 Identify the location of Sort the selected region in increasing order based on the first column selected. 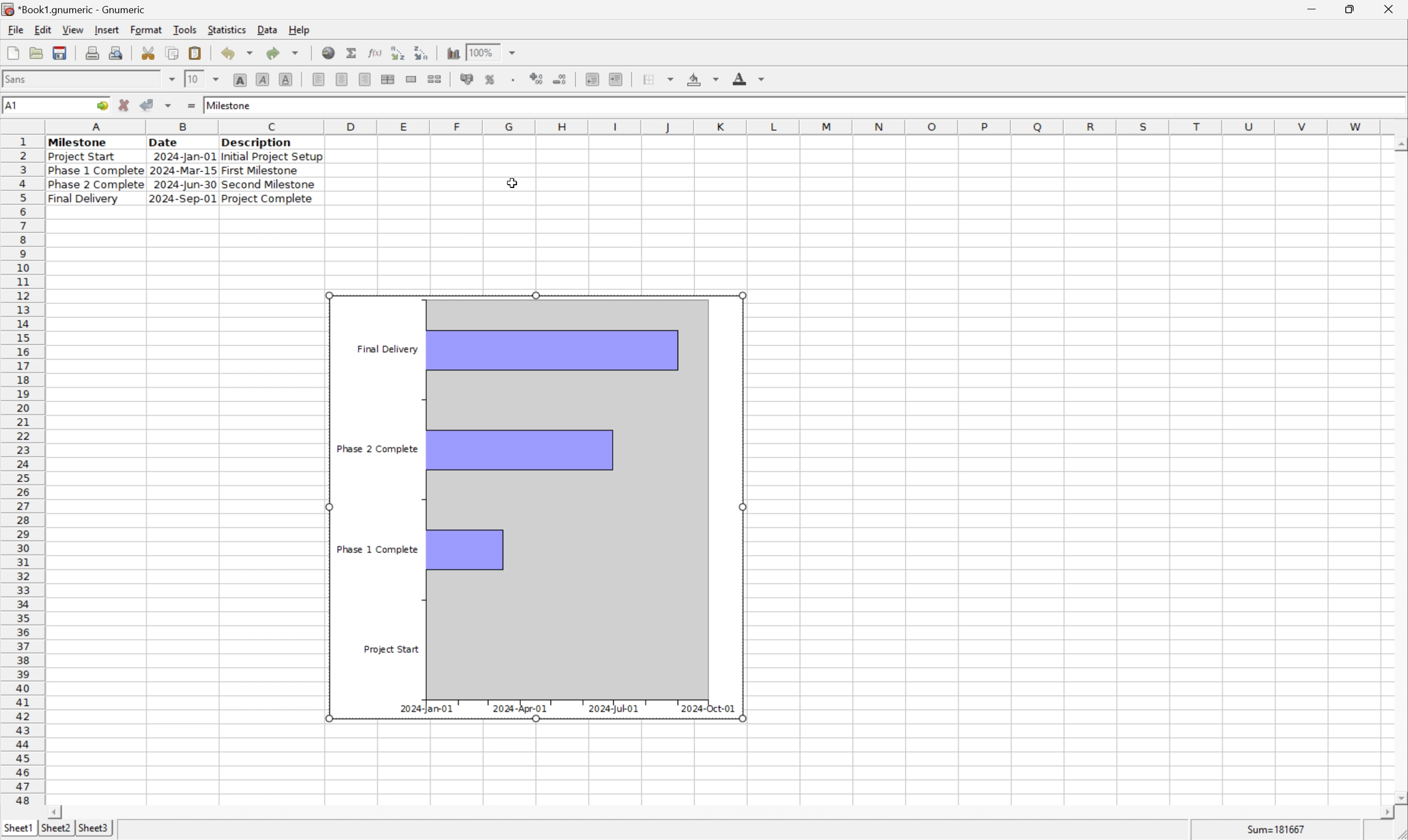
(395, 53).